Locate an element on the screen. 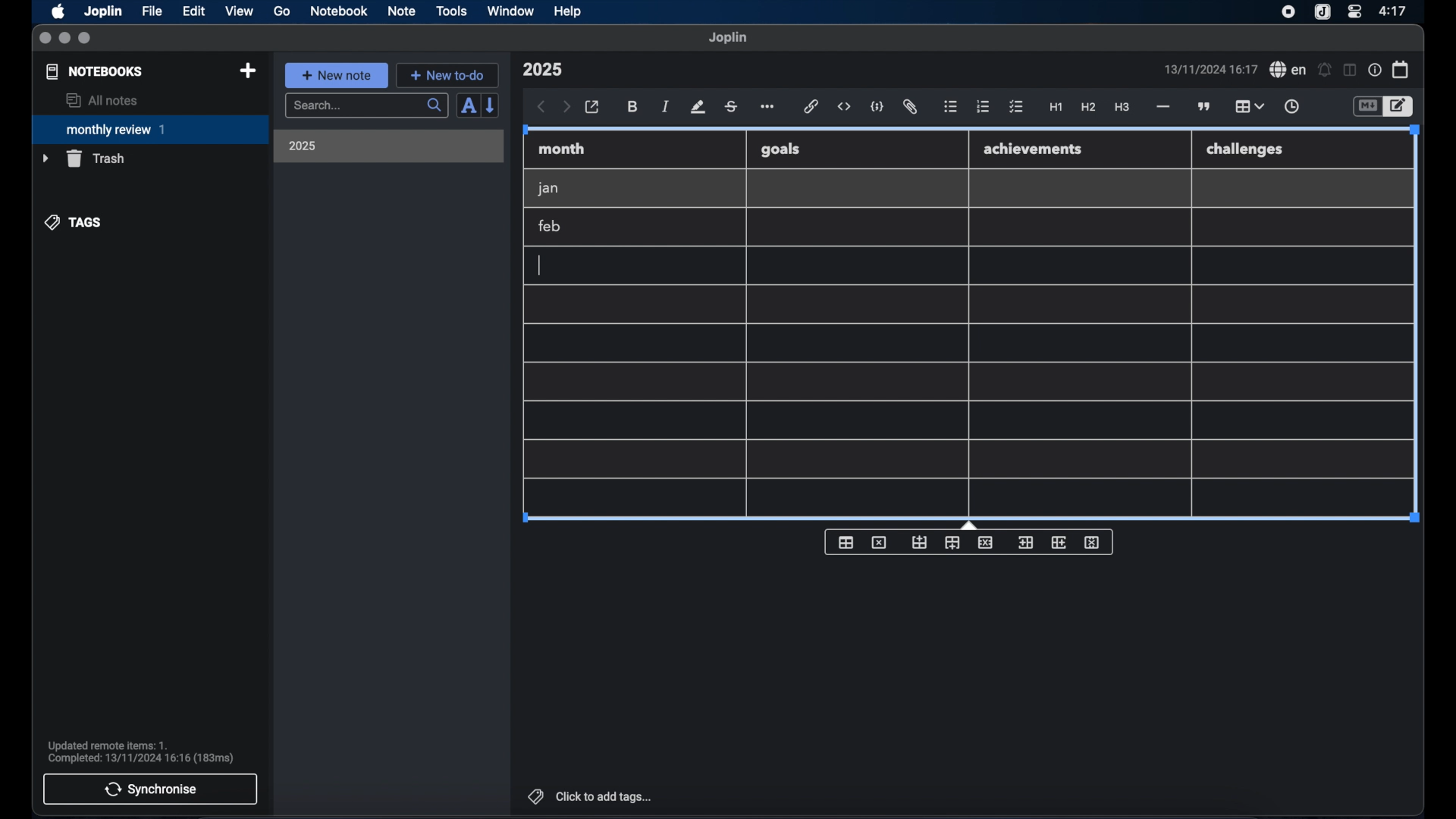  new note is located at coordinates (336, 75).